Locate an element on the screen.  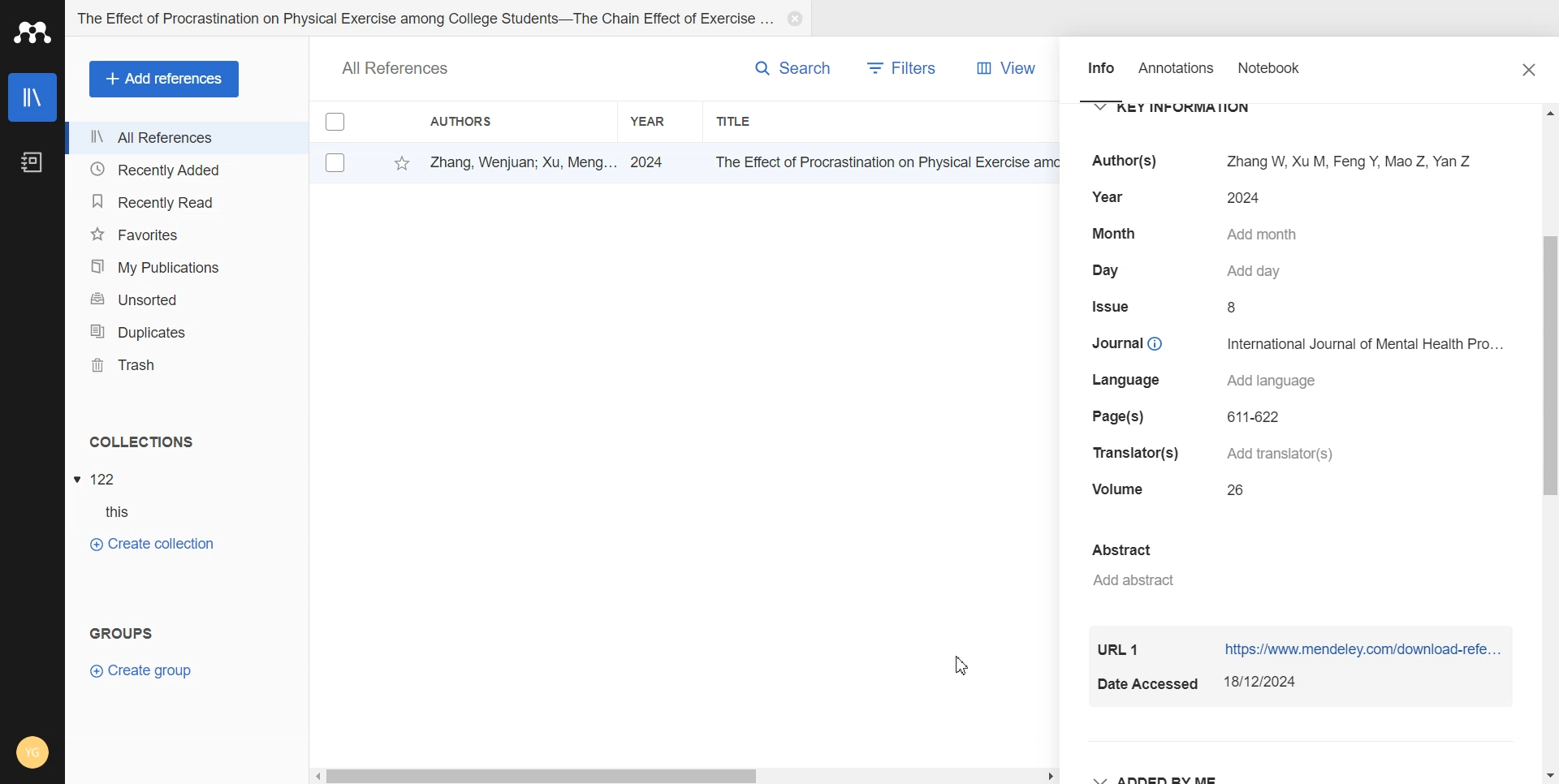
Subfolder is located at coordinates (110, 513).